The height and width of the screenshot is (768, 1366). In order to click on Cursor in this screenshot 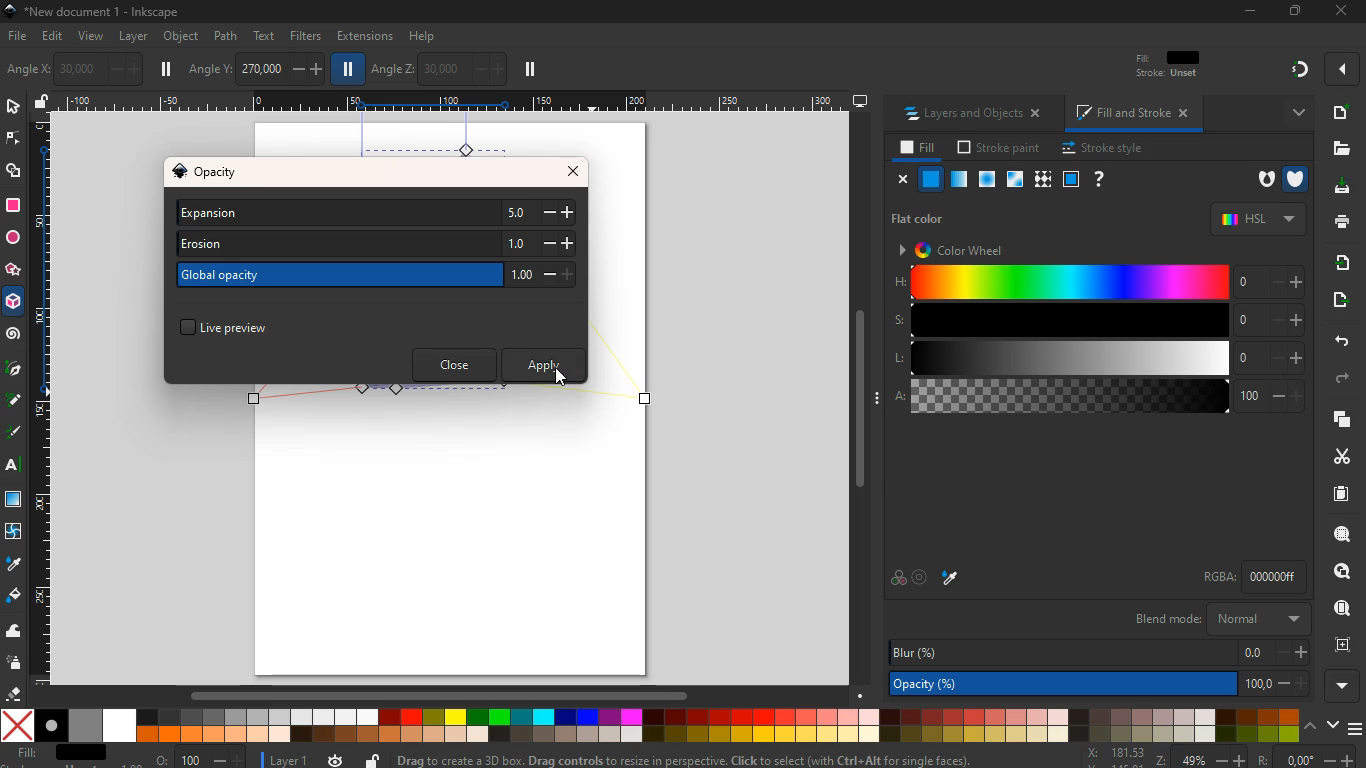, I will do `click(561, 375)`.